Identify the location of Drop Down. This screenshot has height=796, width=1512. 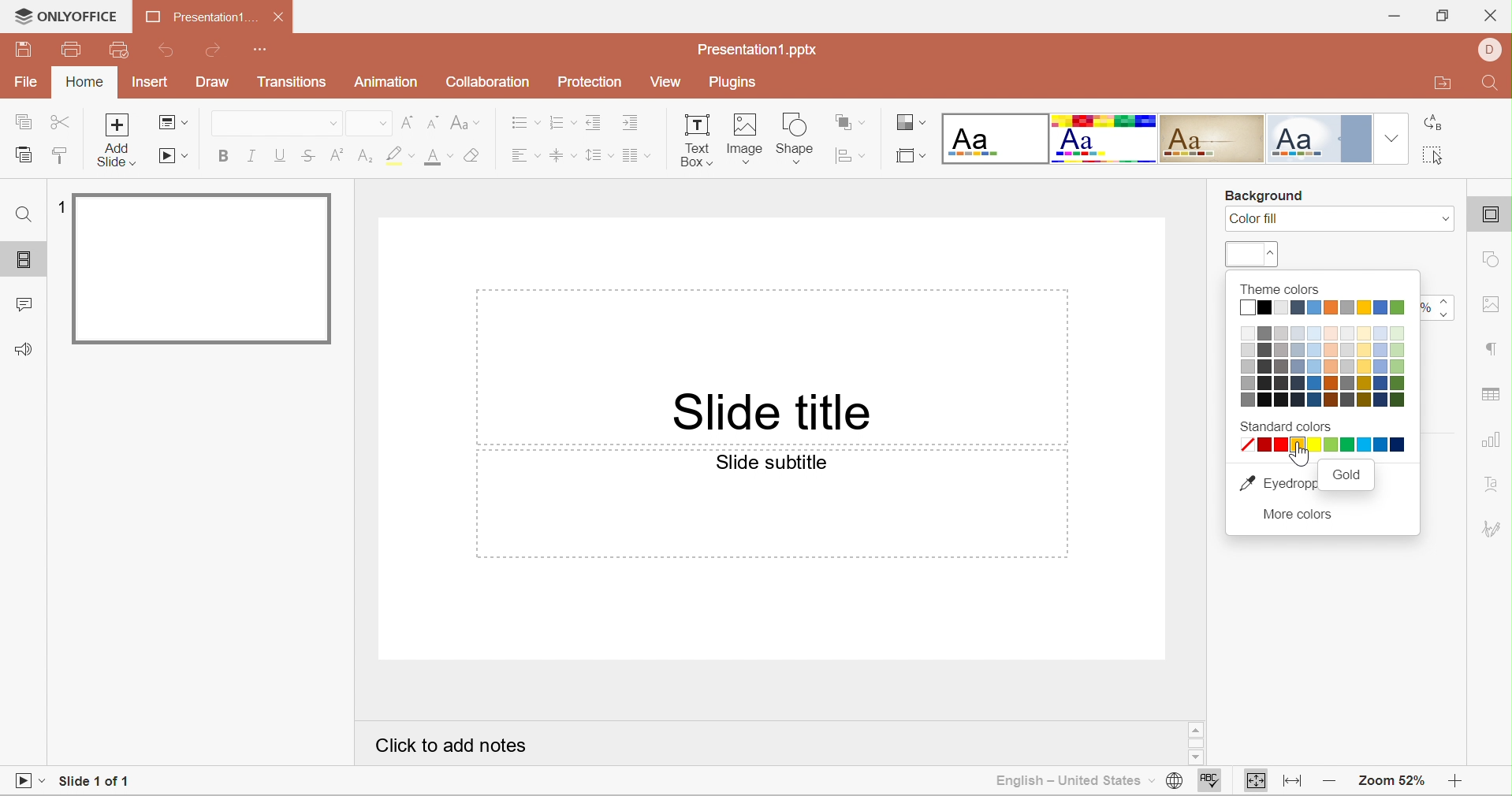
(381, 124).